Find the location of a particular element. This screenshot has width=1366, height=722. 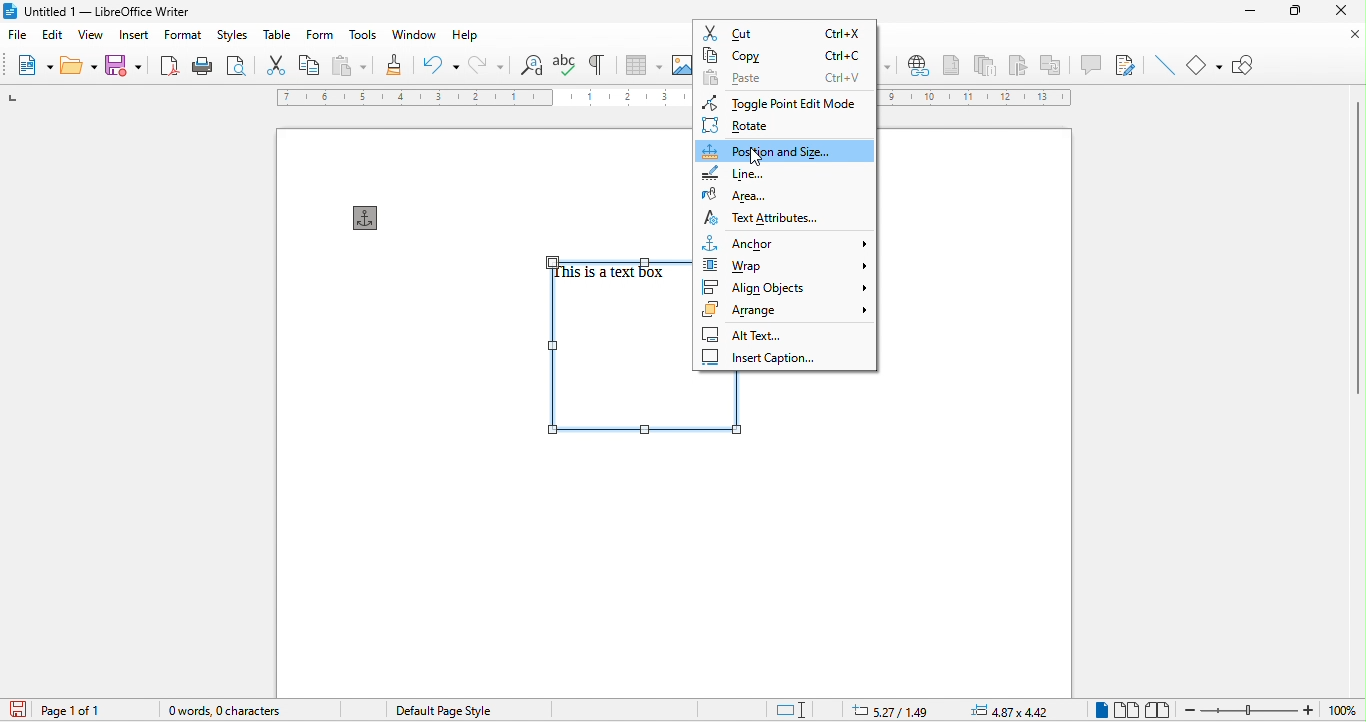

bookmark is located at coordinates (1021, 65).